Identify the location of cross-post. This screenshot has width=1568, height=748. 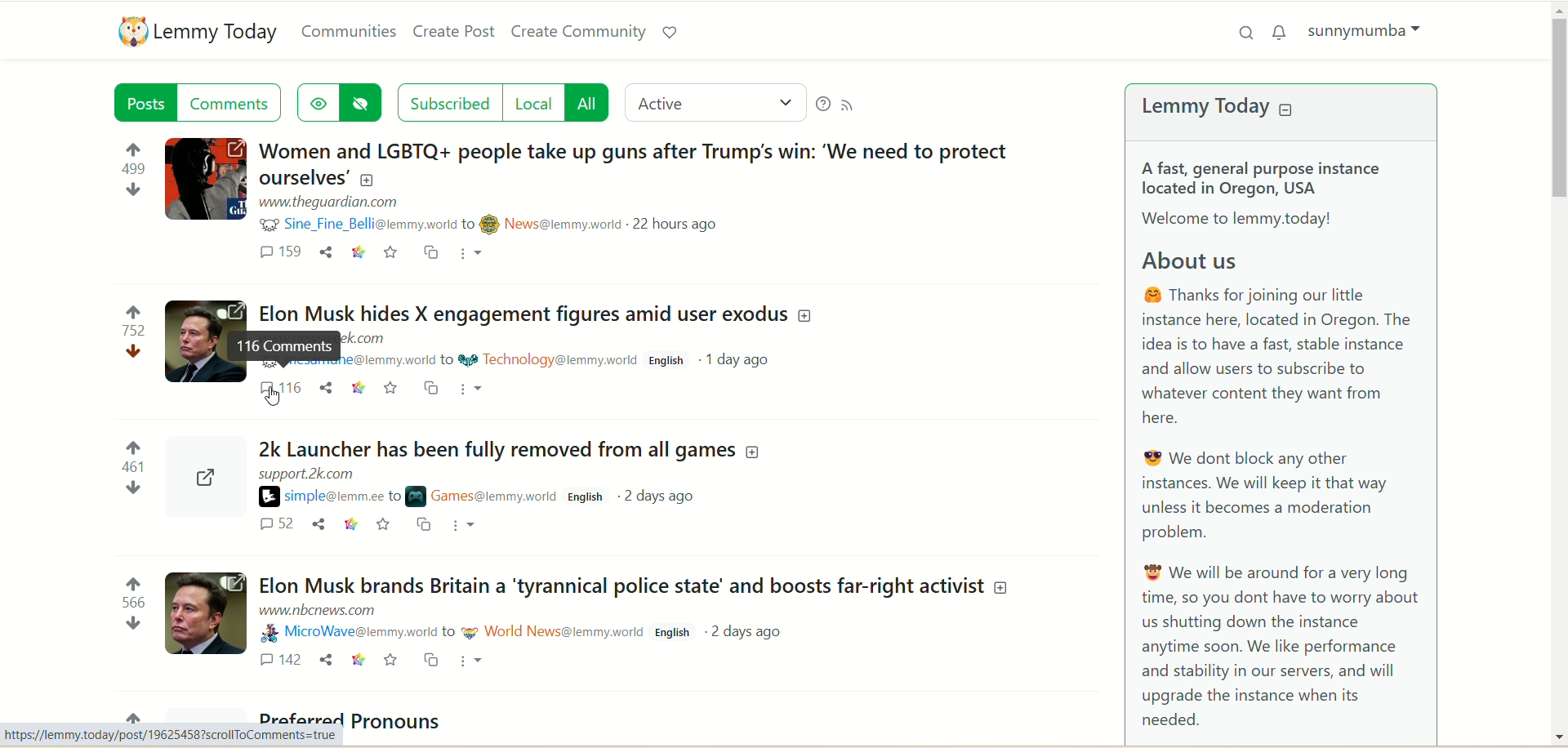
(434, 660).